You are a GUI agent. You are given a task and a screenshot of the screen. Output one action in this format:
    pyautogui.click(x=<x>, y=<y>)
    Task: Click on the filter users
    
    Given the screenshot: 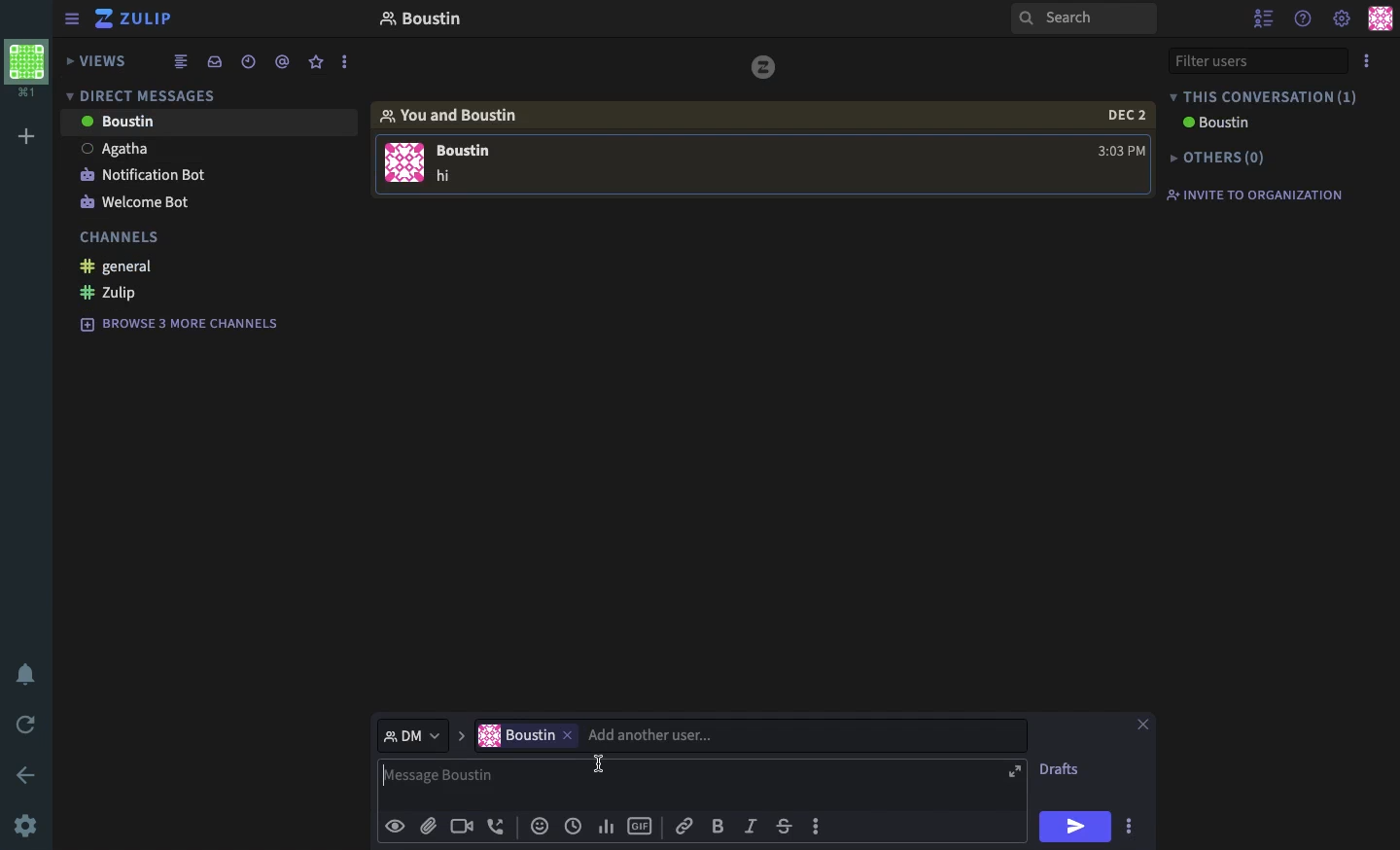 What is the action you would take?
    pyautogui.click(x=1259, y=61)
    